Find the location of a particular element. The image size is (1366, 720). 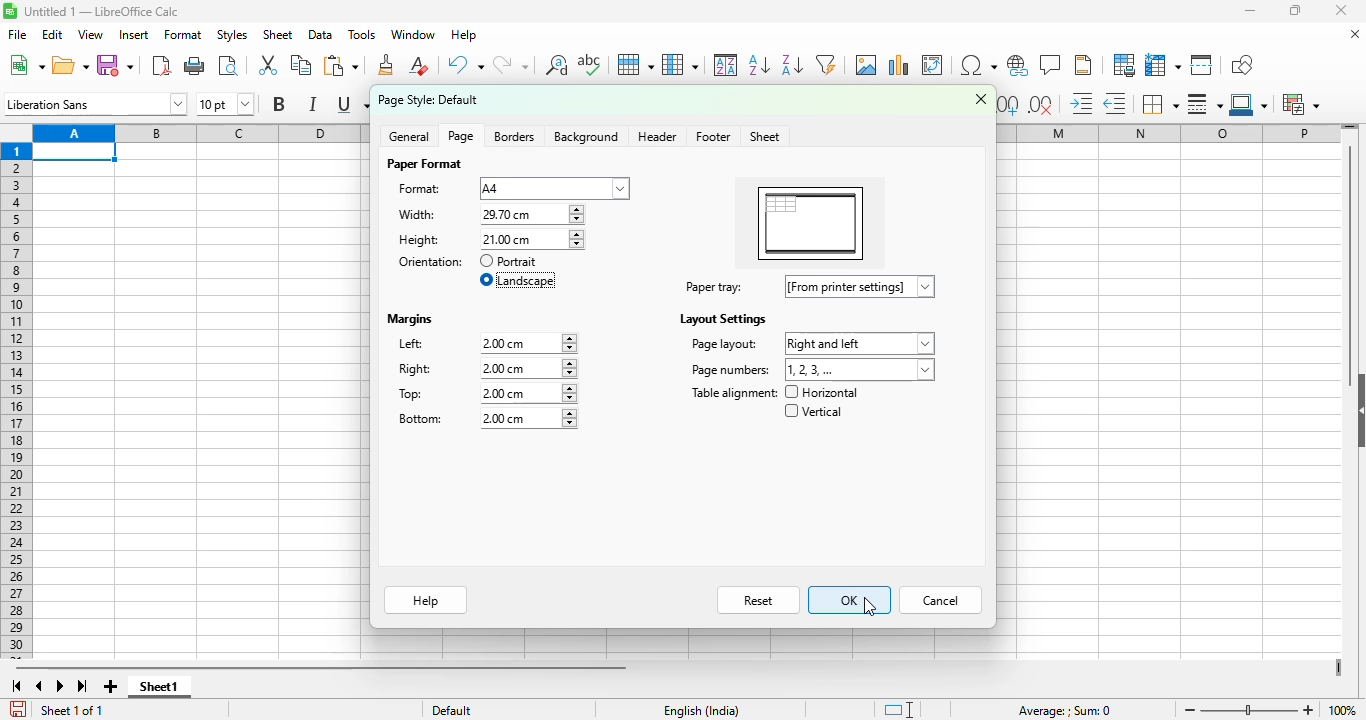

layout settings is located at coordinates (721, 319).